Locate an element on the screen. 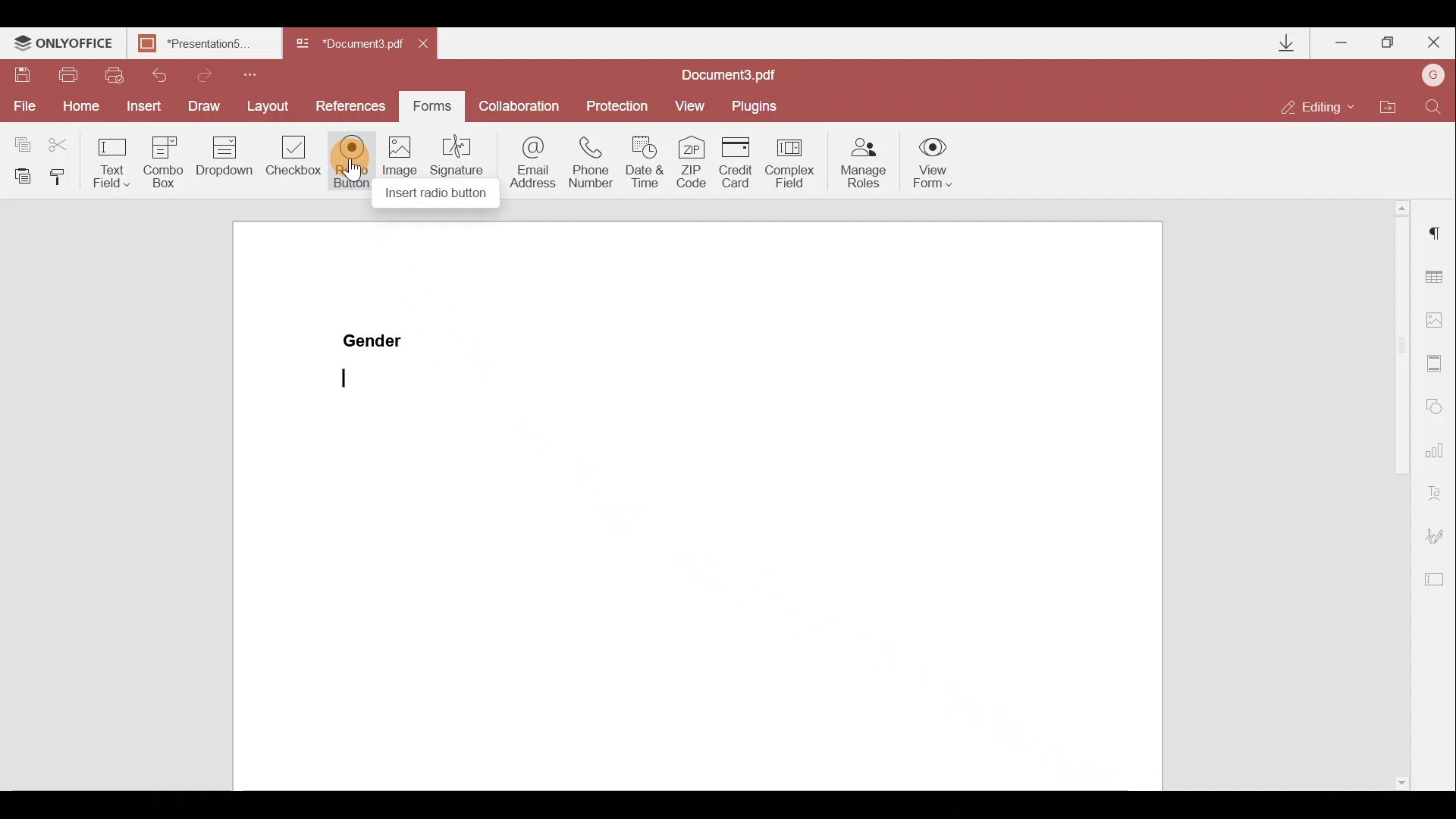 Image resolution: width=1456 pixels, height=819 pixels. Document name is located at coordinates (202, 43).